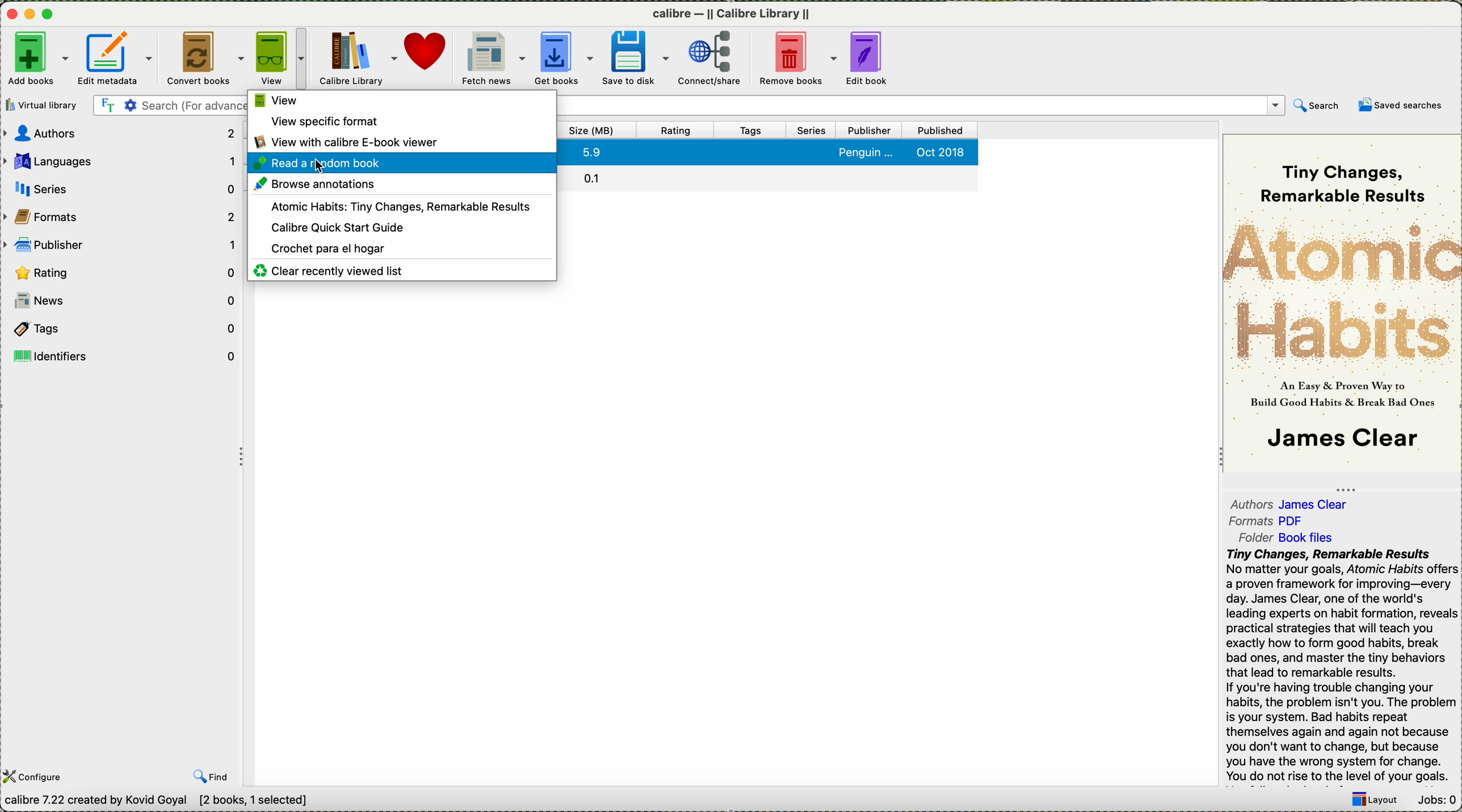 Image resolution: width=1462 pixels, height=812 pixels. Describe the element at coordinates (939, 131) in the screenshot. I see `published` at that location.